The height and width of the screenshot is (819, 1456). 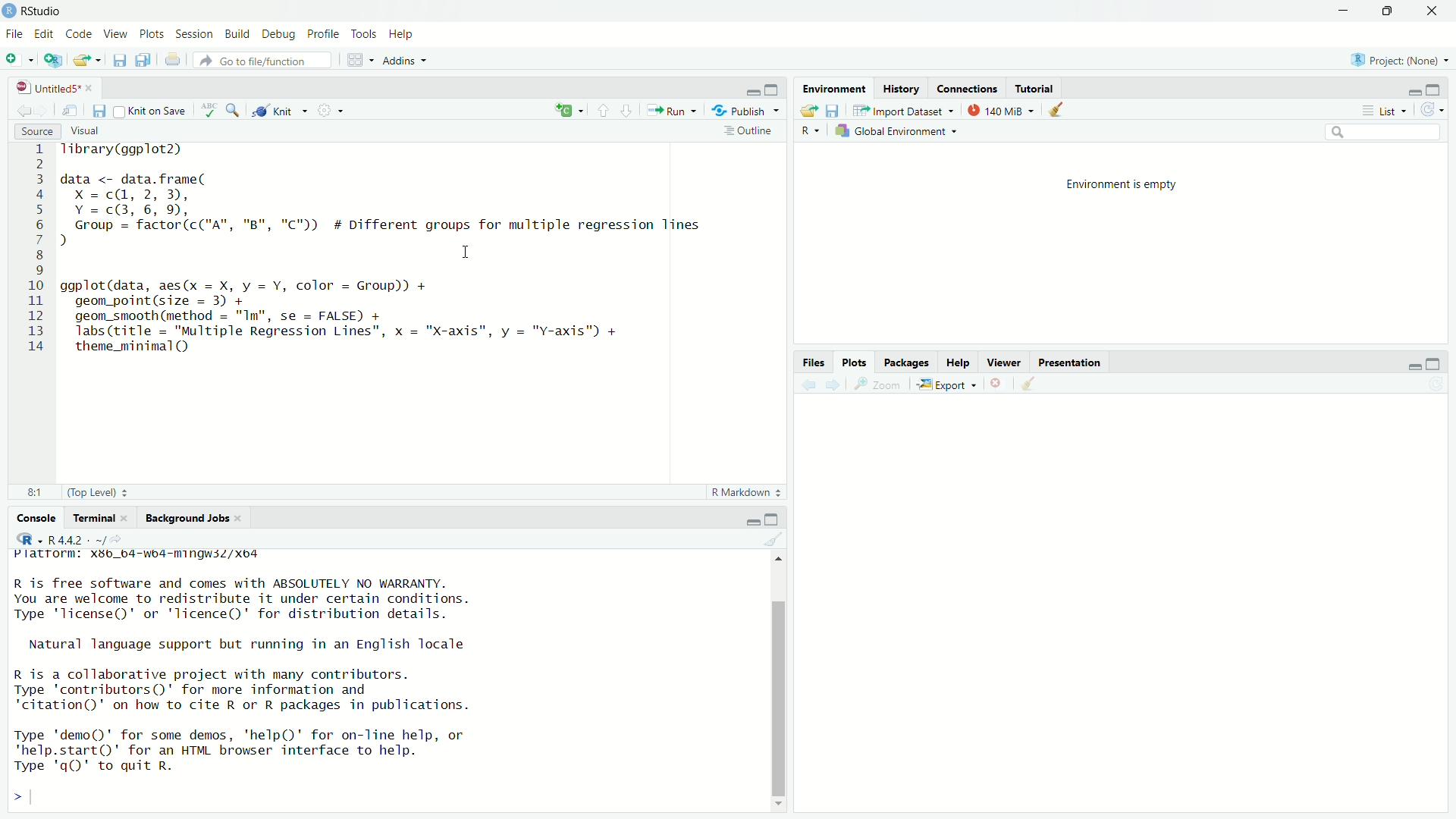 I want to click on minimise, so click(x=1410, y=91).